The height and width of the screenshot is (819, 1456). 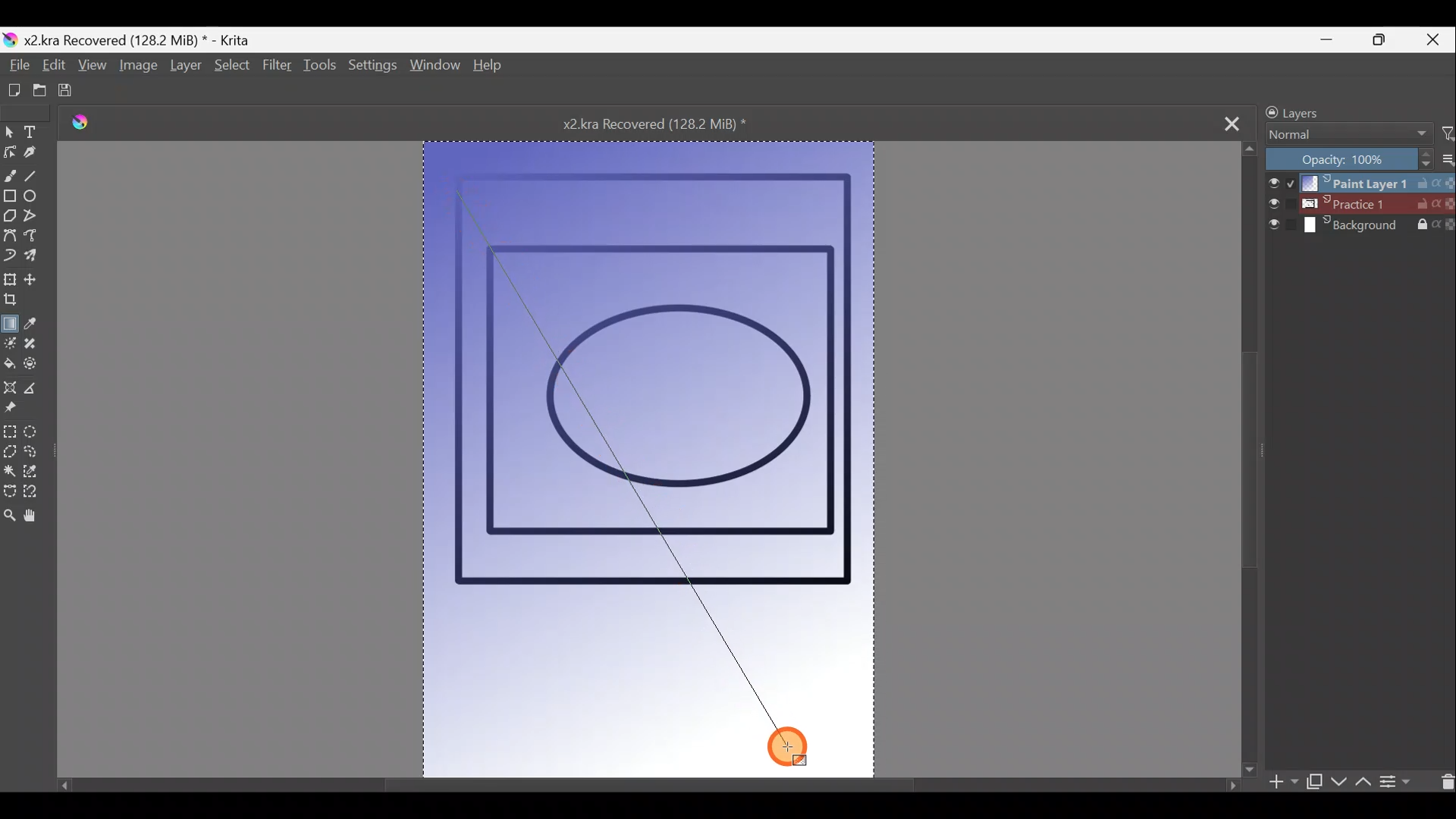 I want to click on Open existing document, so click(x=33, y=91).